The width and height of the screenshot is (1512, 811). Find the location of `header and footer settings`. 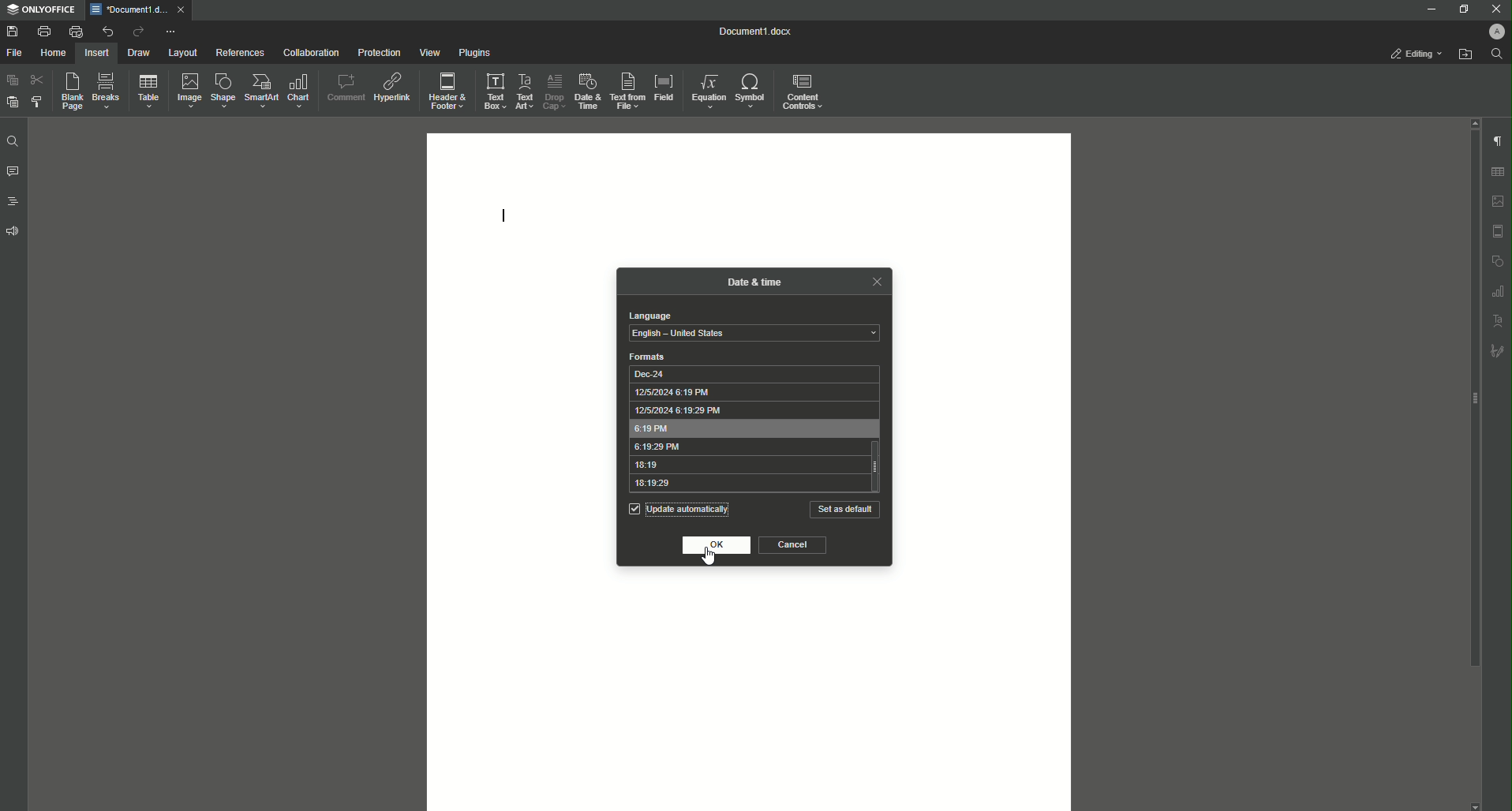

header and footer settings is located at coordinates (1498, 231).